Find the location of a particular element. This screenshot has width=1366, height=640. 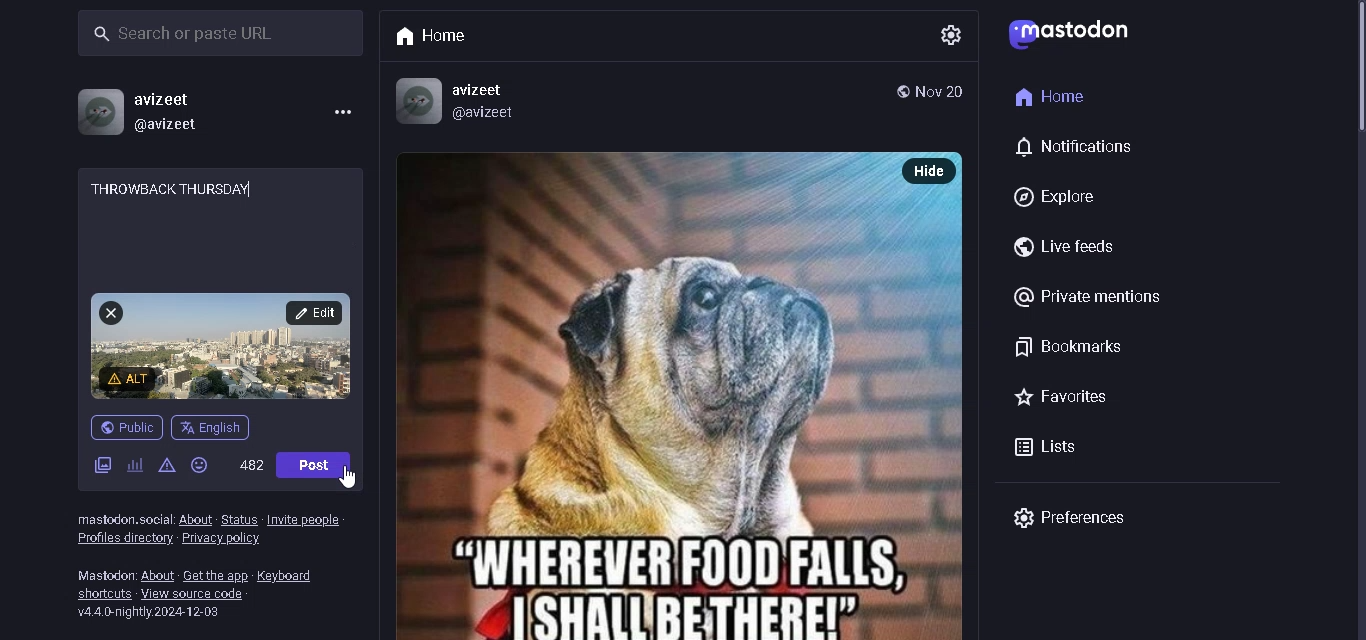

home is located at coordinates (1047, 94).